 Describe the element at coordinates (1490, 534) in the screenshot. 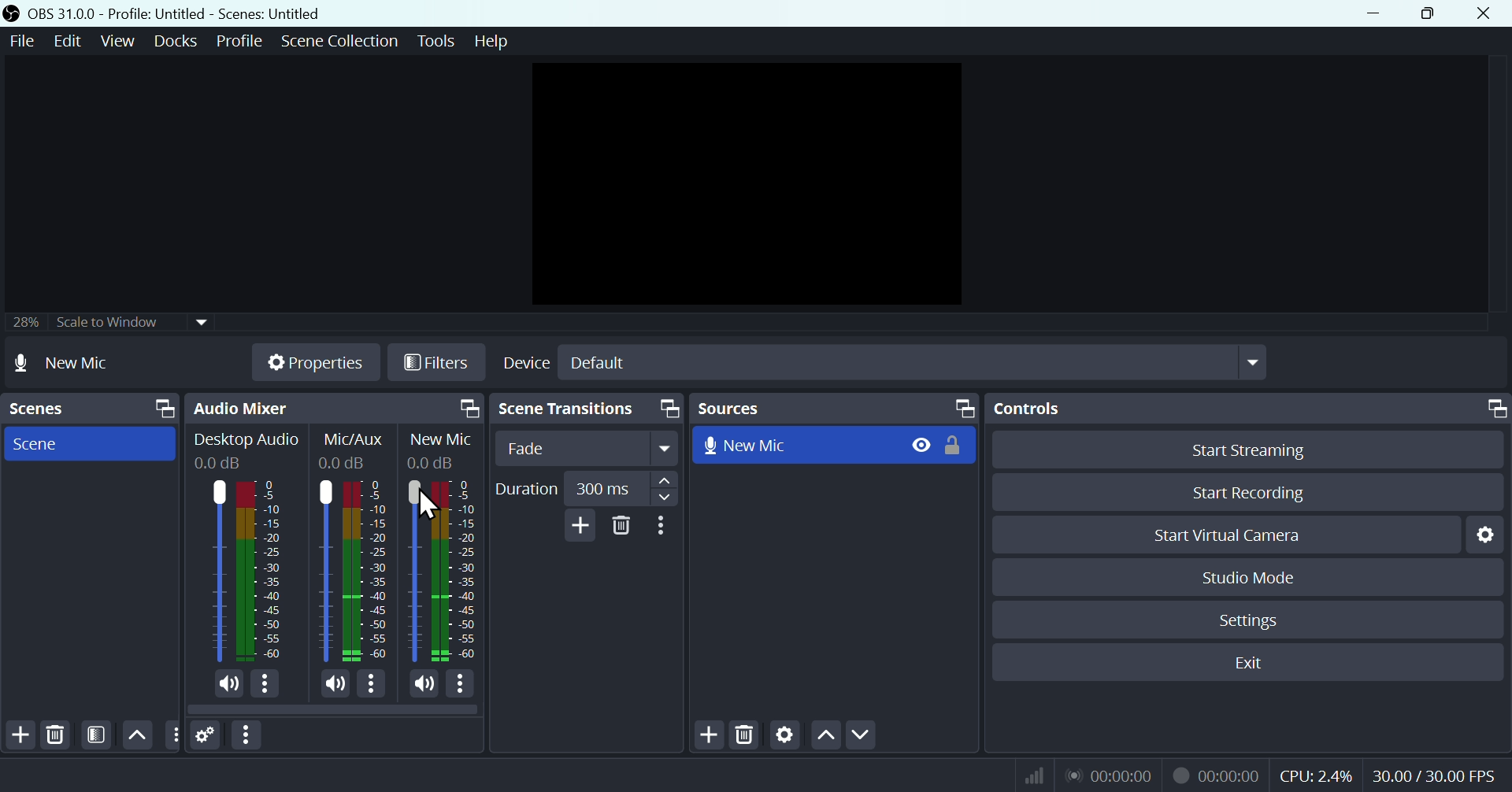

I see `Settings` at that location.